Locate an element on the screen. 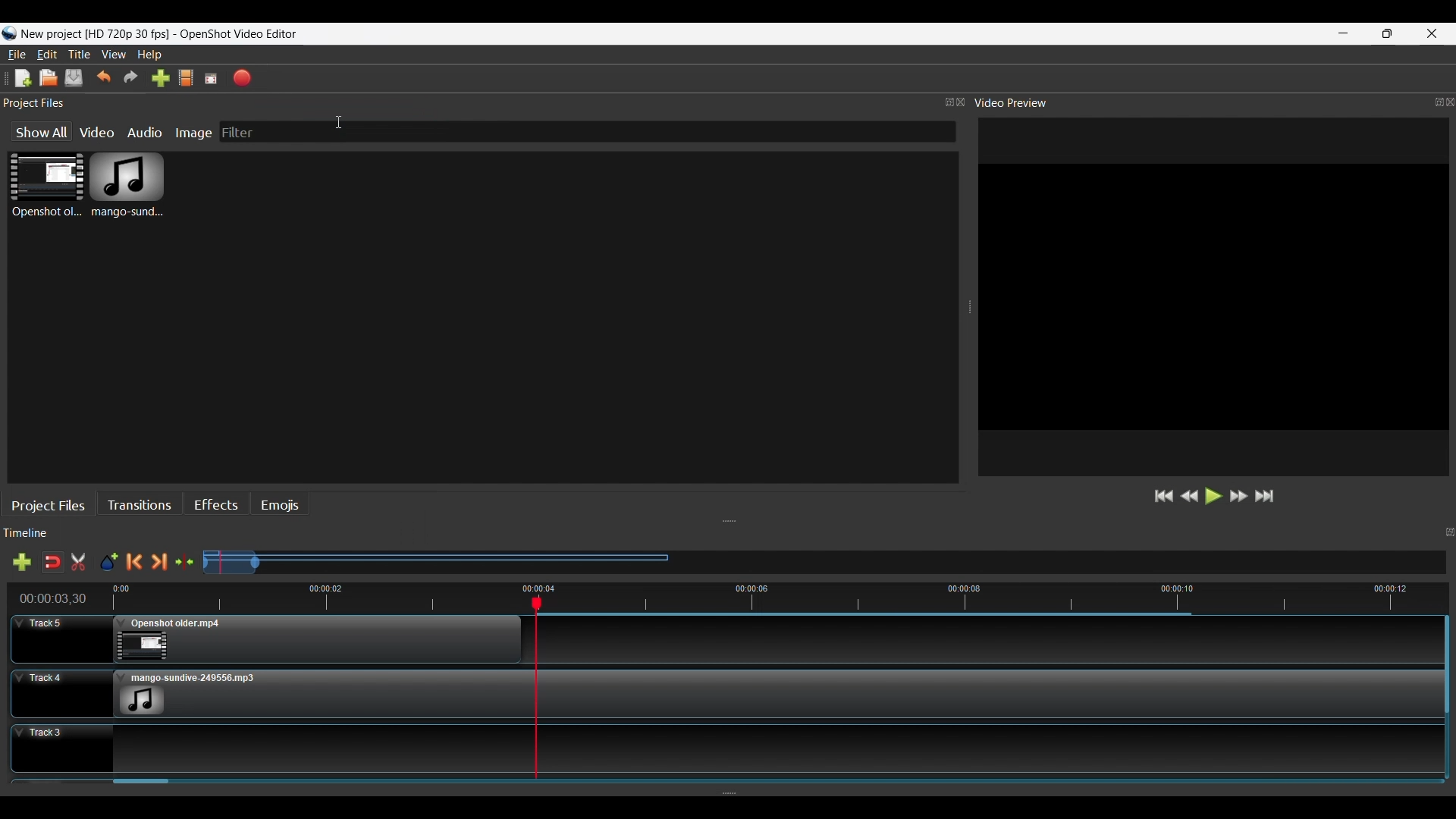 Image resolution: width=1456 pixels, height=819 pixels. Video preview is located at coordinates (1022, 103).